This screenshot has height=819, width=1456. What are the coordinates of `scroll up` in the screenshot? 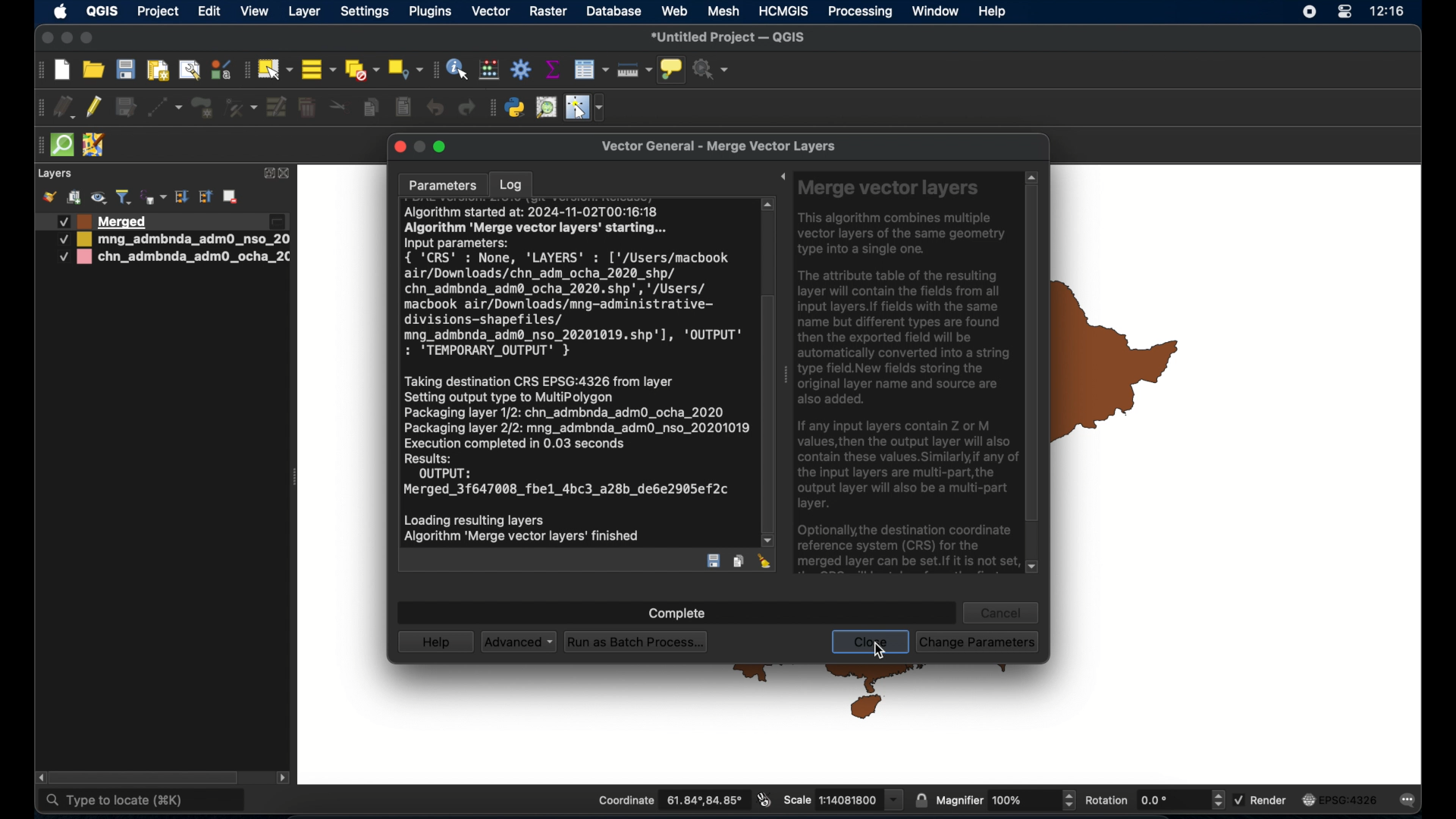 It's located at (769, 205).